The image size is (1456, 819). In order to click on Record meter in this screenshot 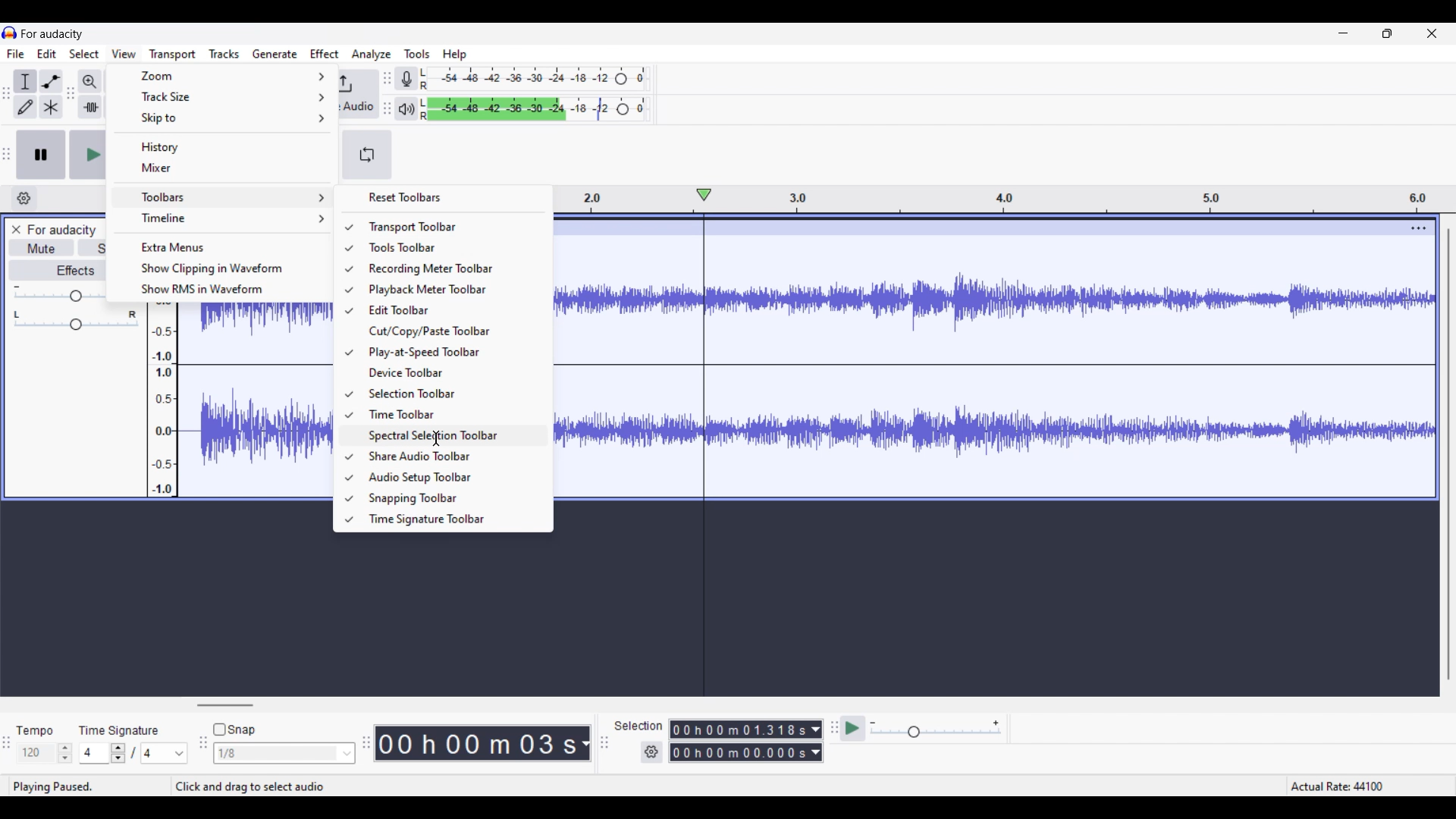, I will do `click(405, 78)`.